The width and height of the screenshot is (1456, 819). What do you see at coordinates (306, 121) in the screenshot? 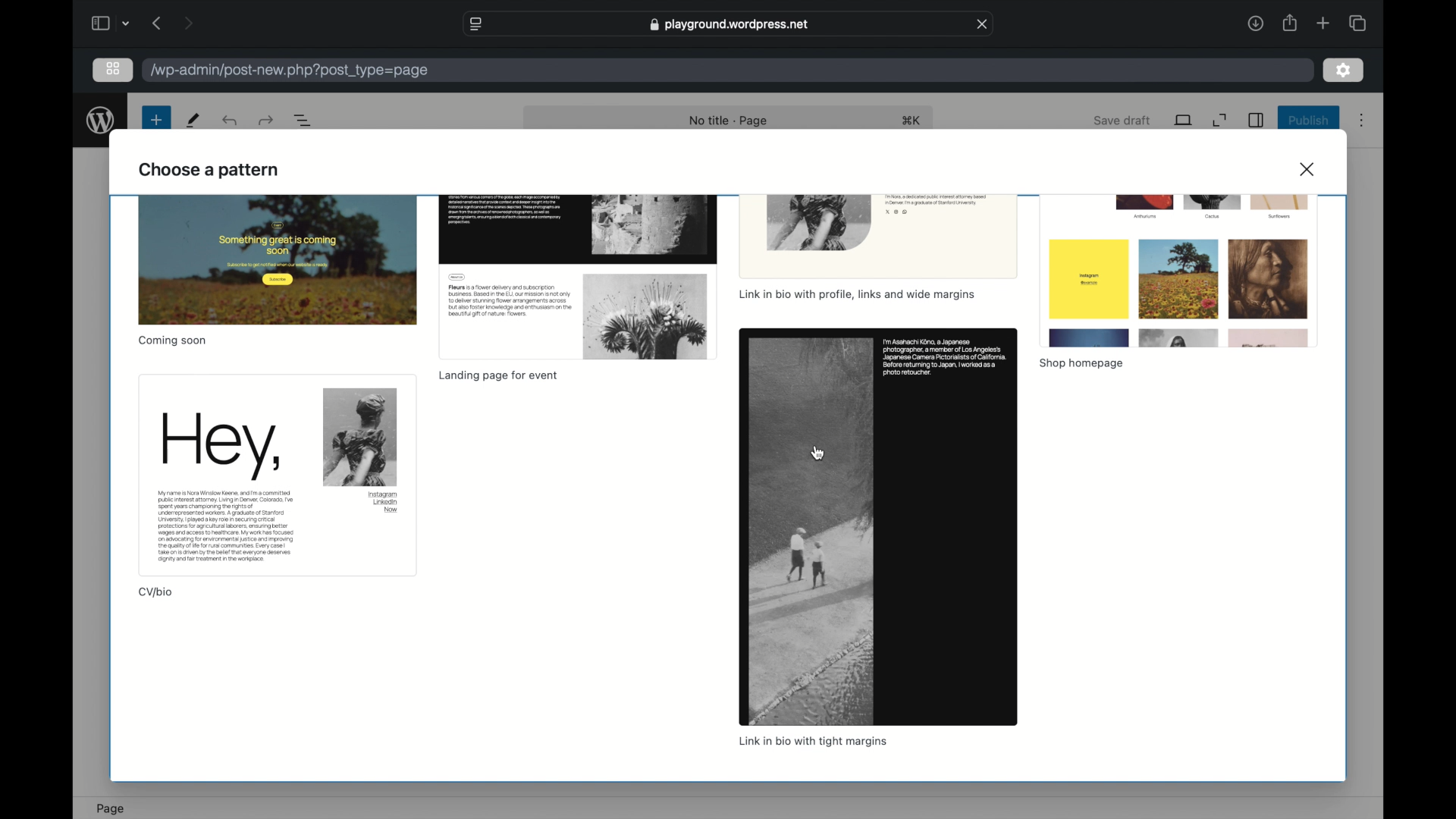
I see `document overview` at bounding box center [306, 121].